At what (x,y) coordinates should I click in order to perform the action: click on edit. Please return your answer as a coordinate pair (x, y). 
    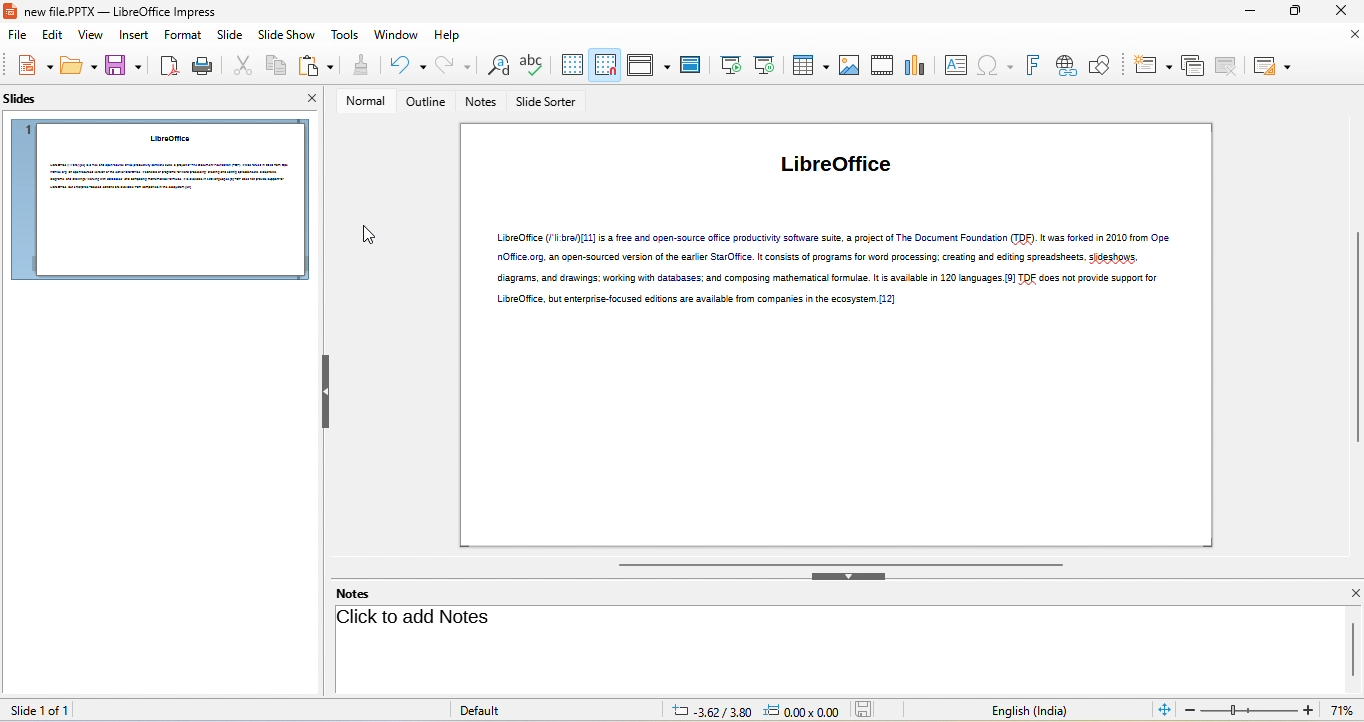
    Looking at the image, I should click on (47, 35).